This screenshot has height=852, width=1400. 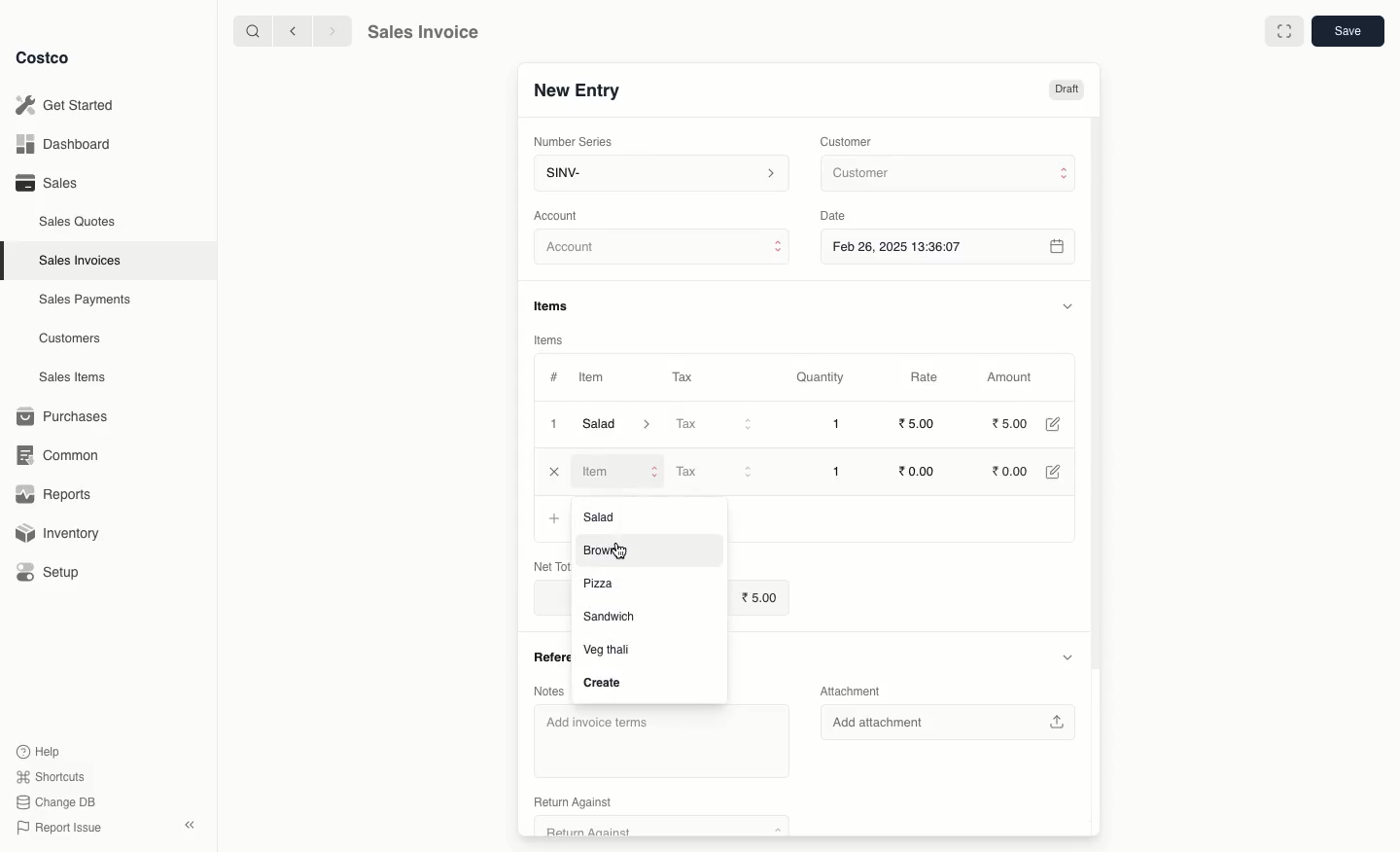 What do you see at coordinates (81, 261) in the screenshot?
I see `Sales Invoices` at bounding box center [81, 261].